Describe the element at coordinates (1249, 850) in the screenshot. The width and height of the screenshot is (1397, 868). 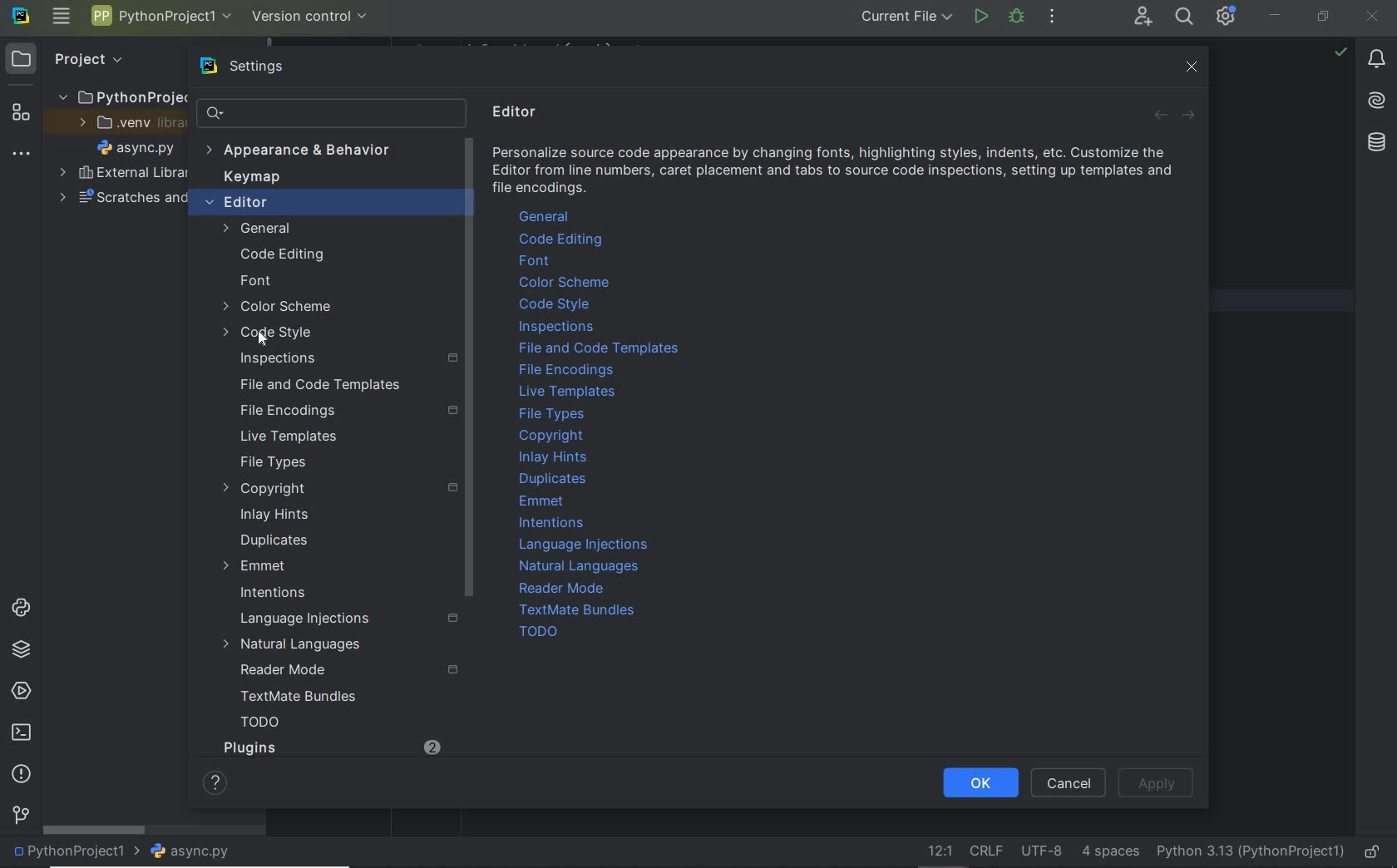
I see `current interpreter` at that location.